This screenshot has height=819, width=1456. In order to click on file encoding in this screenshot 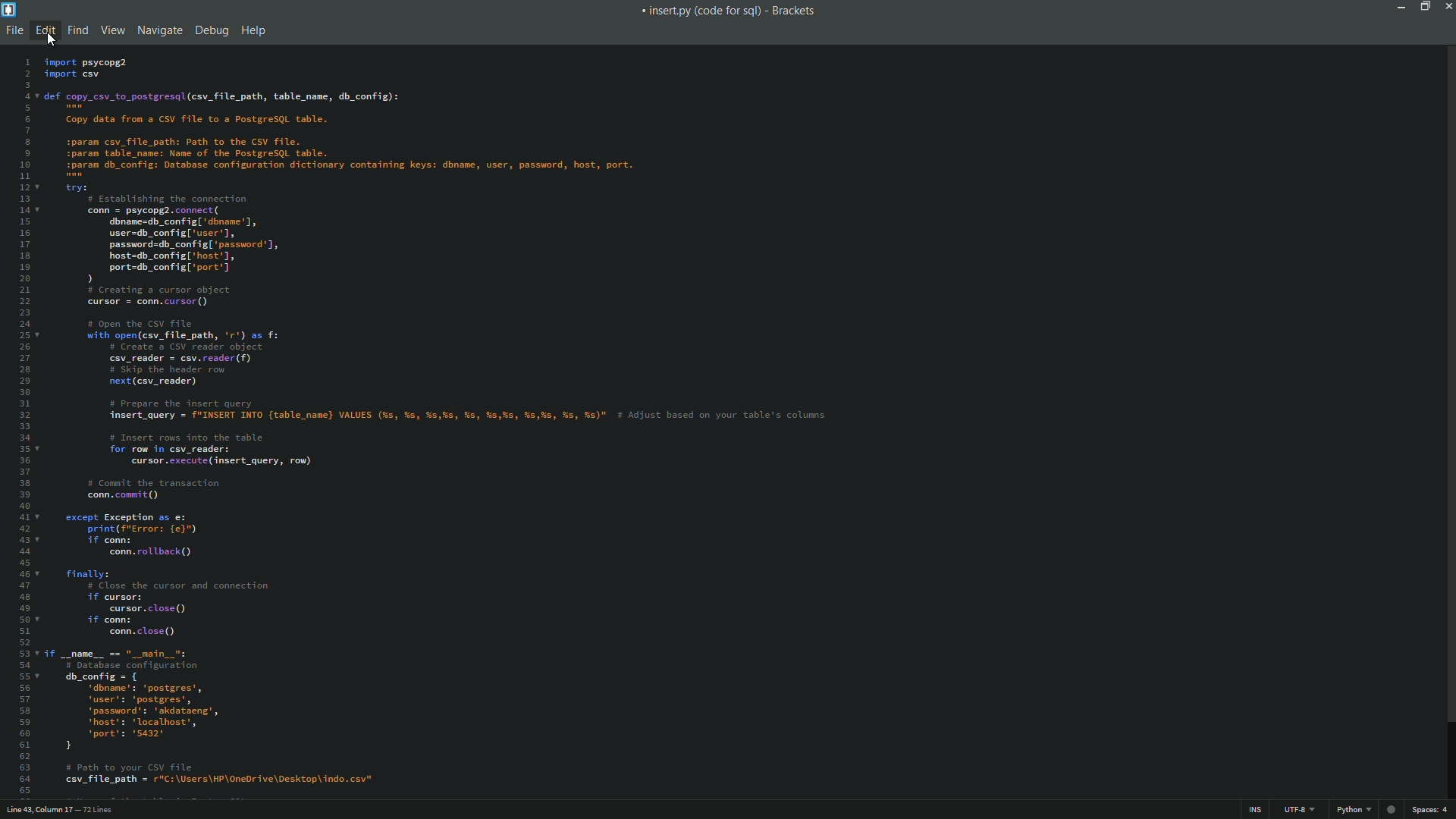, I will do `click(1299, 810)`.